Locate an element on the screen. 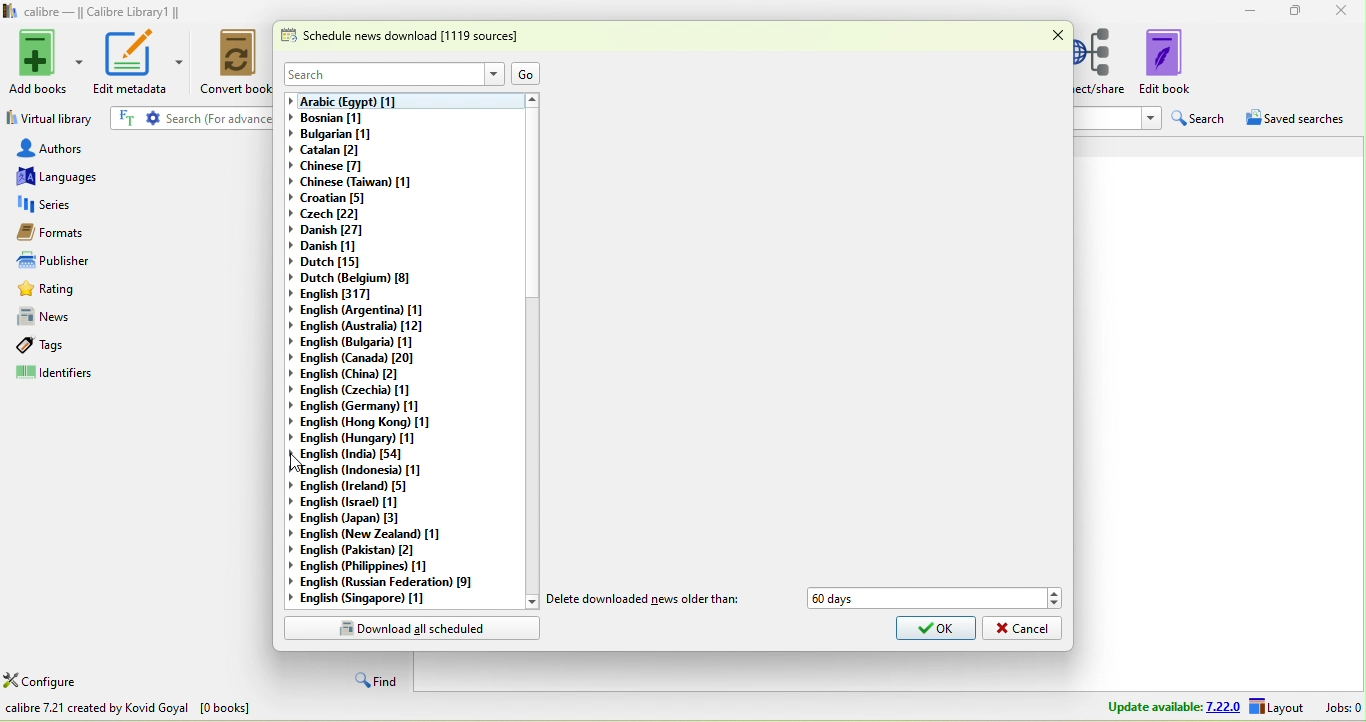 The width and height of the screenshot is (1366, 722). find is located at coordinates (378, 678).